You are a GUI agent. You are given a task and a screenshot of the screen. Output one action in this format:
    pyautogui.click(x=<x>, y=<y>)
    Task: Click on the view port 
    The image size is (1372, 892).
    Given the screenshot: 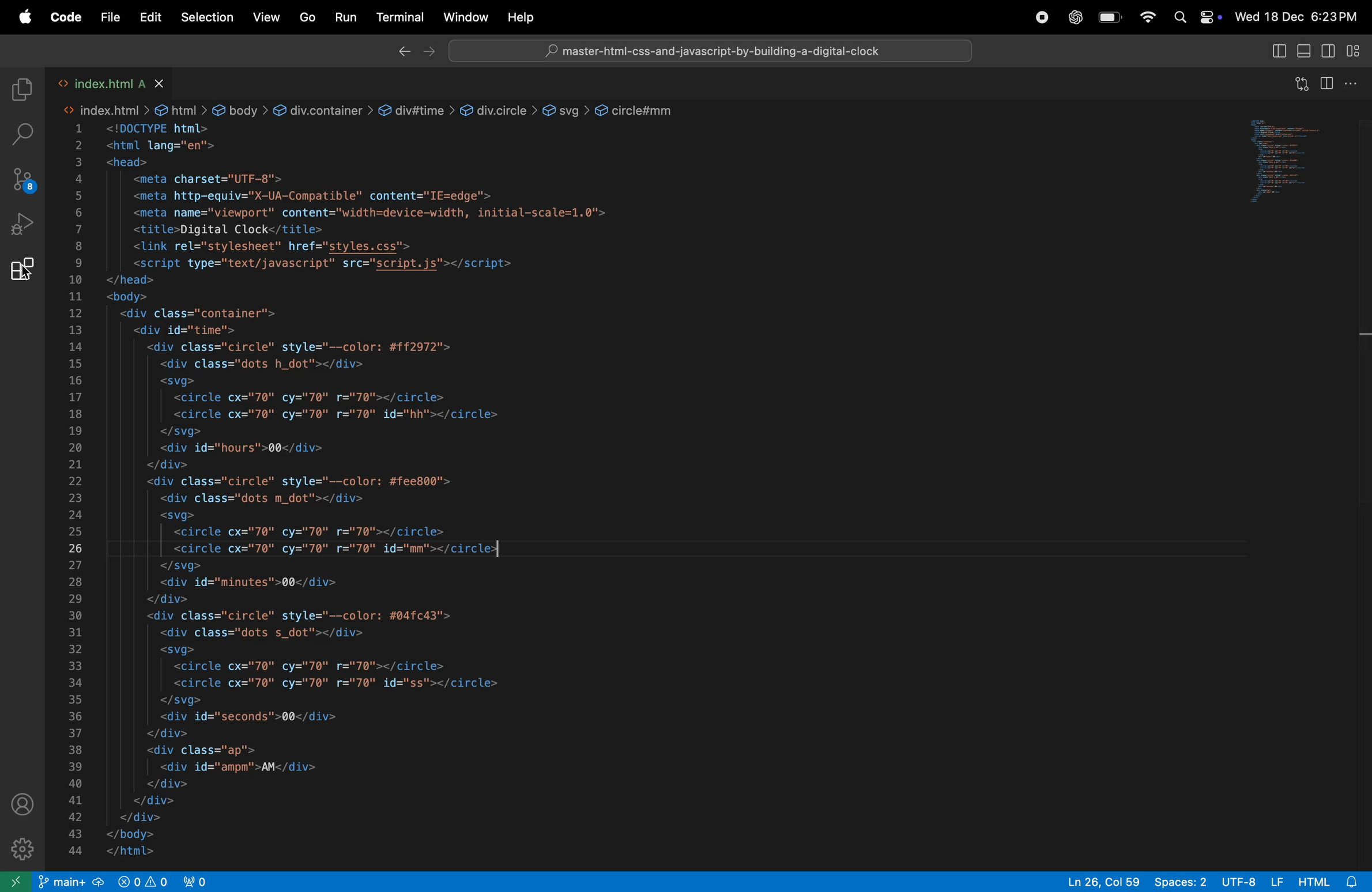 What is the action you would take?
    pyautogui.click(x=202, y=880)
    